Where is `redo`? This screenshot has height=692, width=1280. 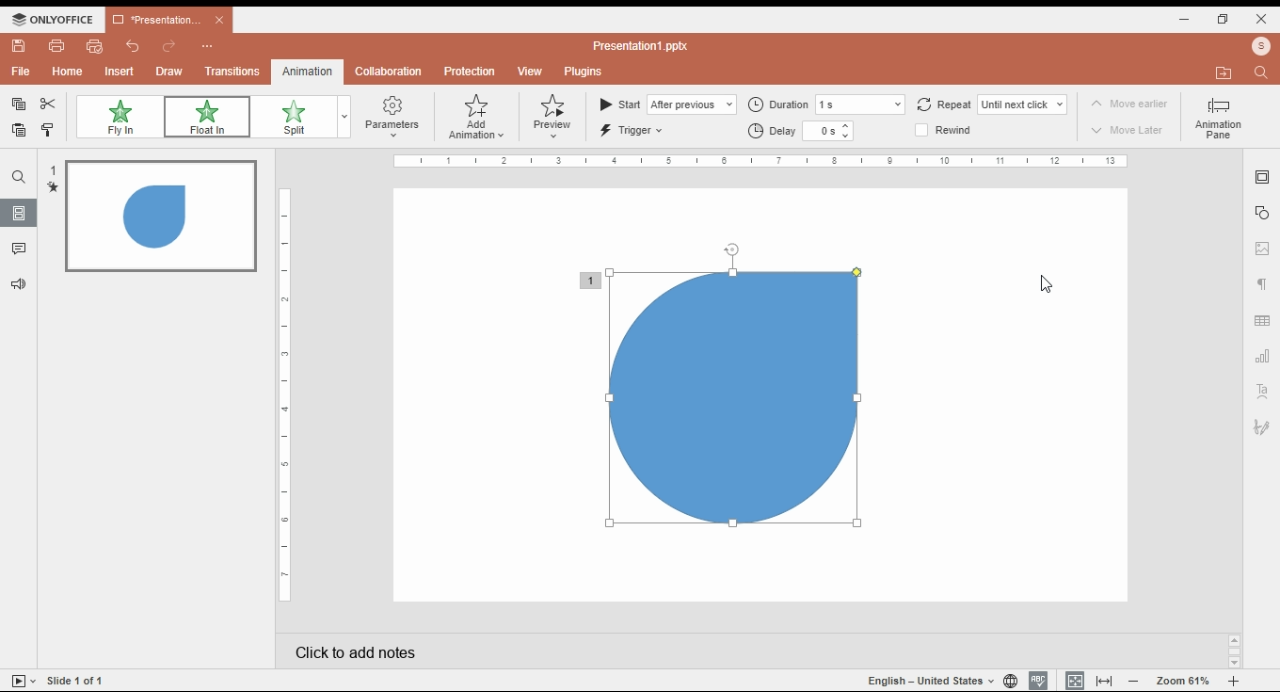
redo is located at coordinates (170, 47).